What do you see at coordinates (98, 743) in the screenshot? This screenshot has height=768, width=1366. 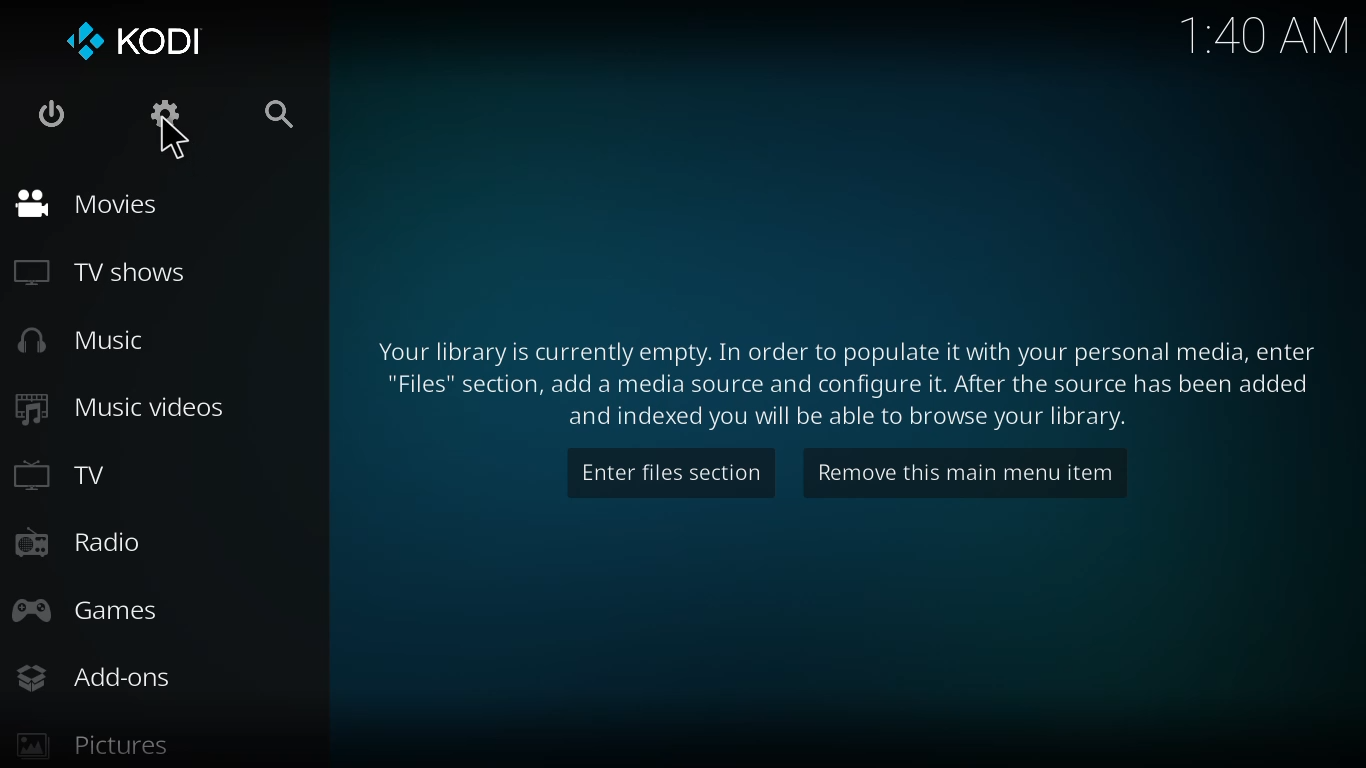 I see `pictures` at bounding box center [98, 743].